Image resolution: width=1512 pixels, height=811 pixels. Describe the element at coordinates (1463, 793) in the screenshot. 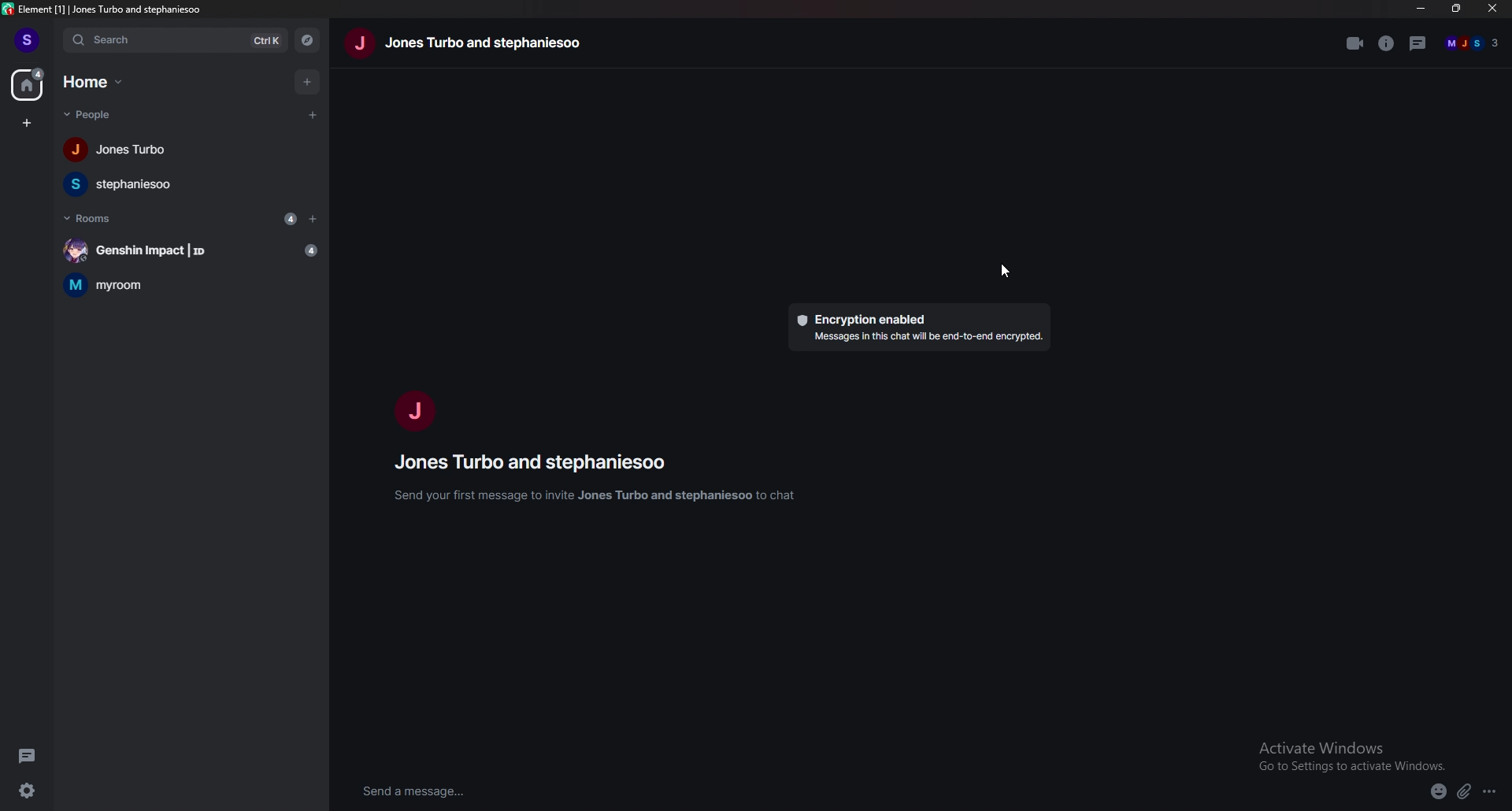

I see `attachments` at that location.